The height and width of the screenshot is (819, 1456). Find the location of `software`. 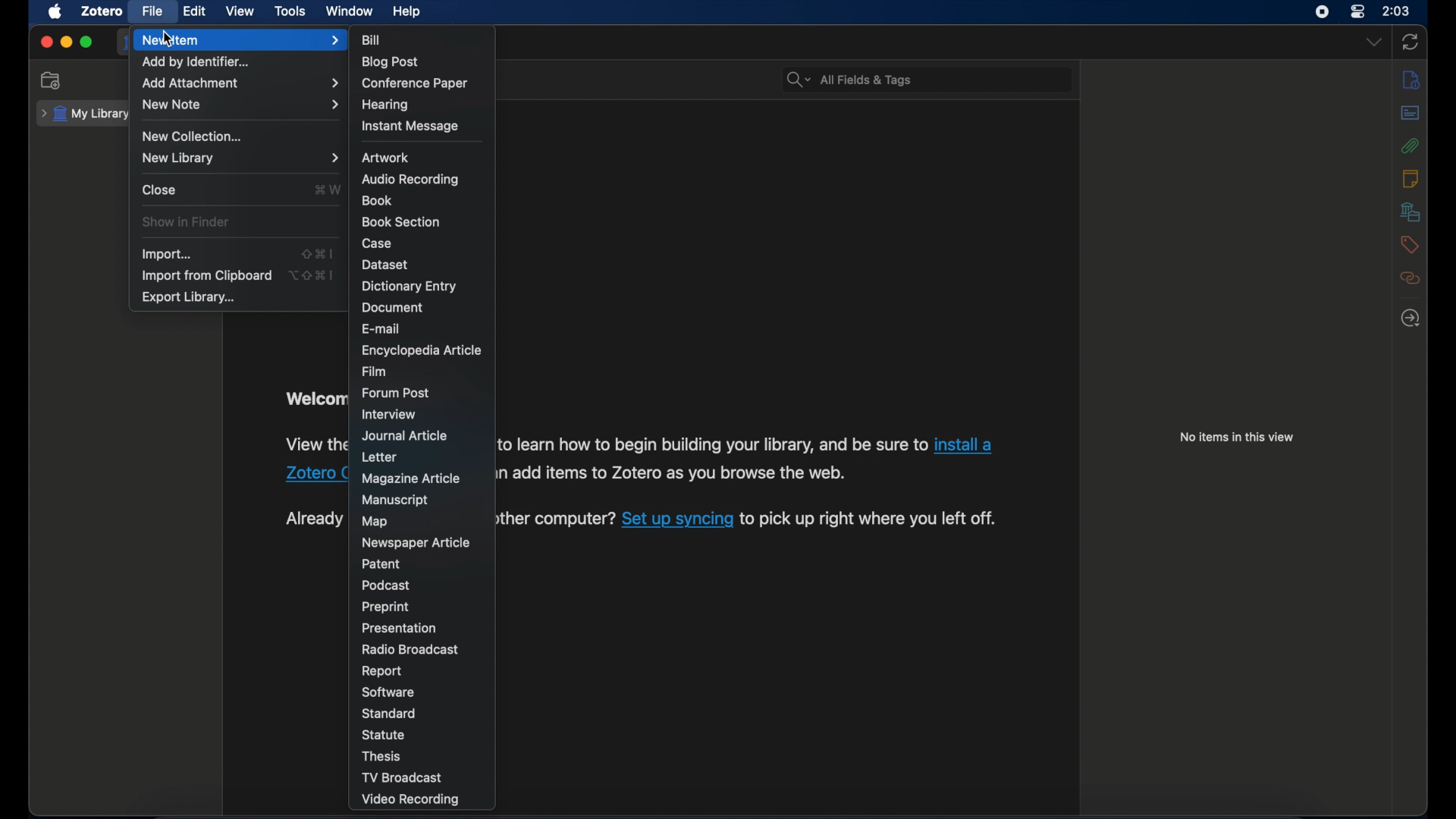

software is located at coordinates (388, 692).